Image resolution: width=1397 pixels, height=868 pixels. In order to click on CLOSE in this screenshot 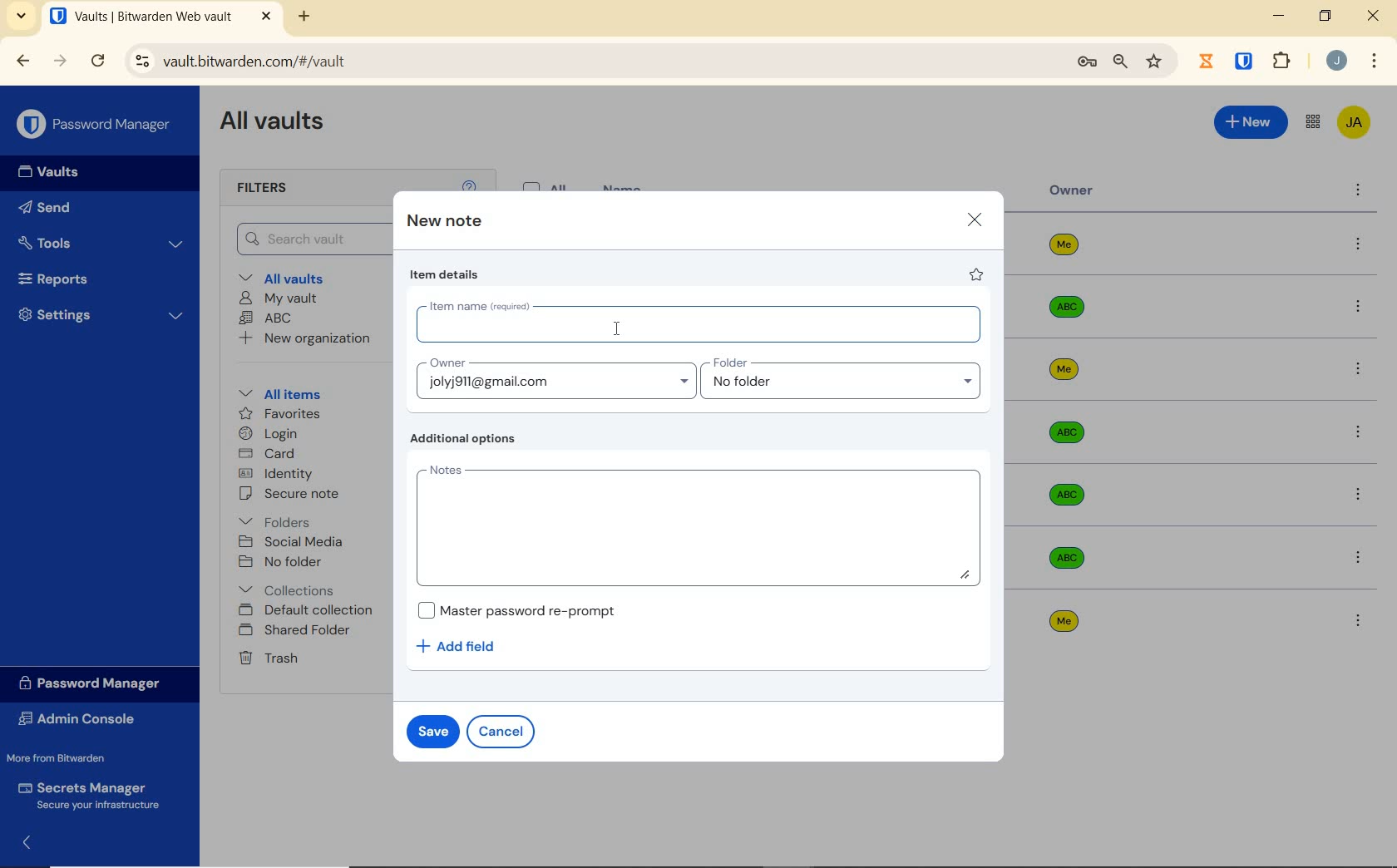, I will do `click(1375, 20)`.